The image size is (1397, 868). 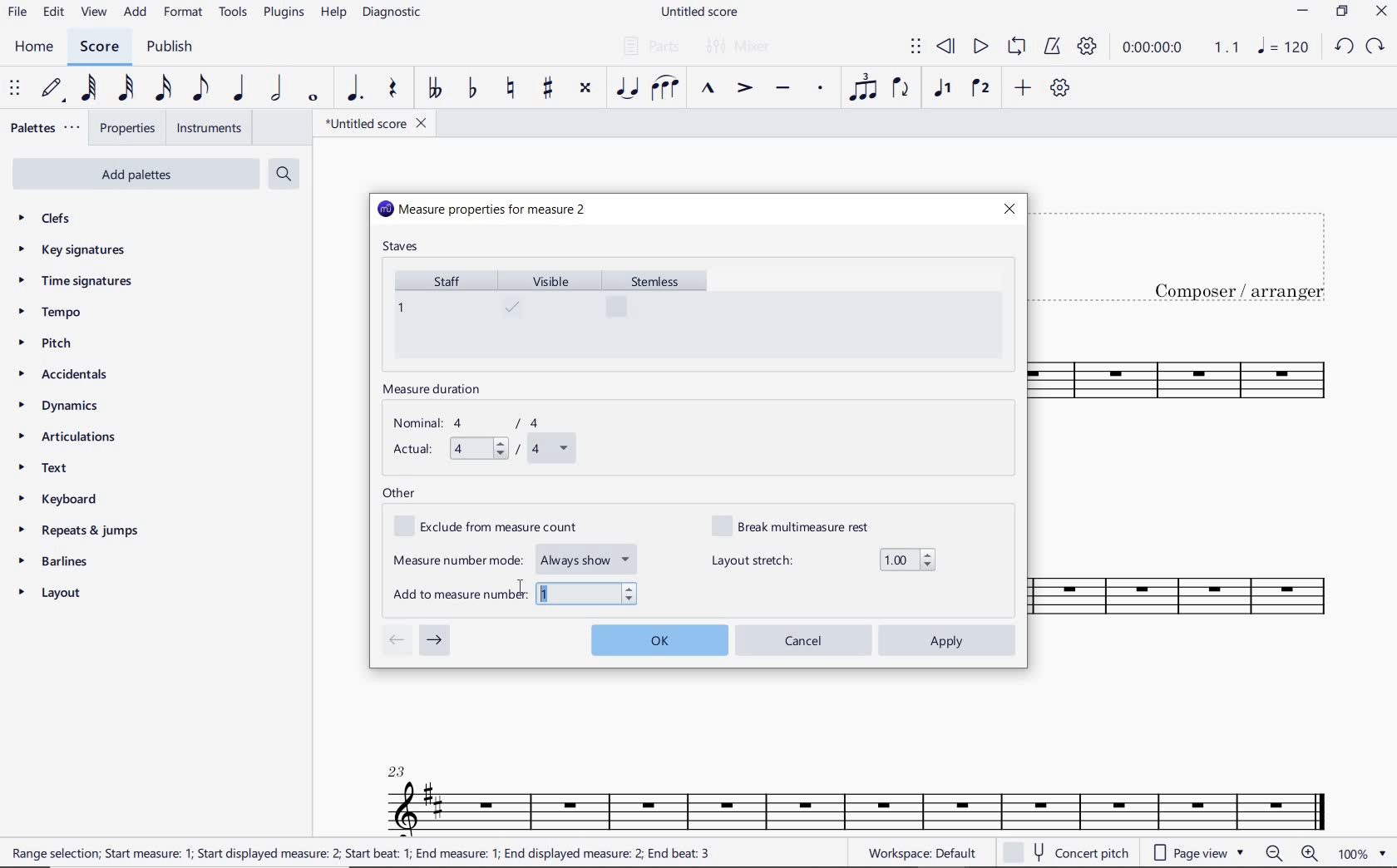 I want to click on ADD PALETTES, so click(x=134, y=173).